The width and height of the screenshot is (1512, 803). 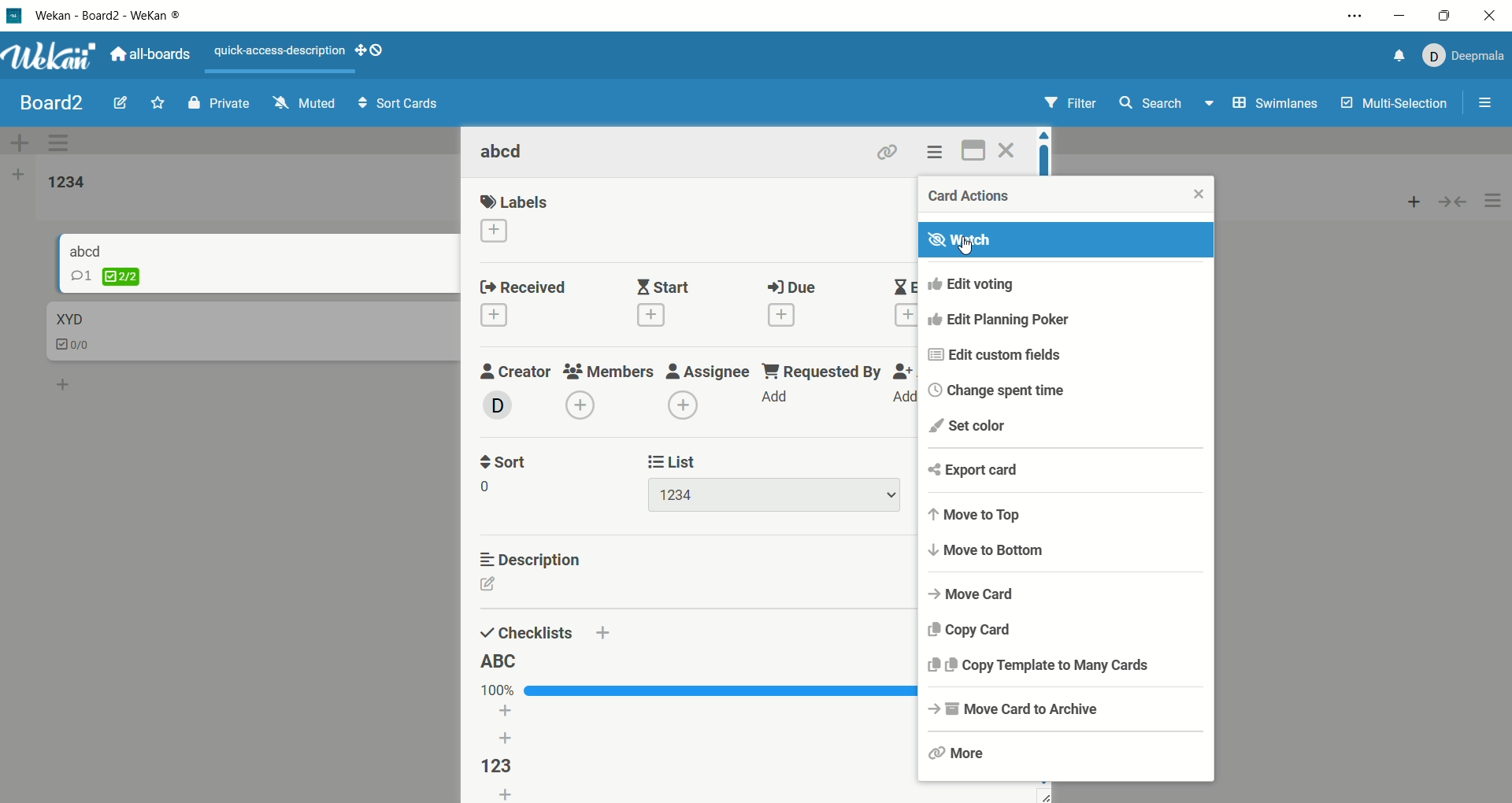 What do you see at coordinates (1443, 14) in the screenshot?
I see `maximize` at bounding box center [1443, 14].